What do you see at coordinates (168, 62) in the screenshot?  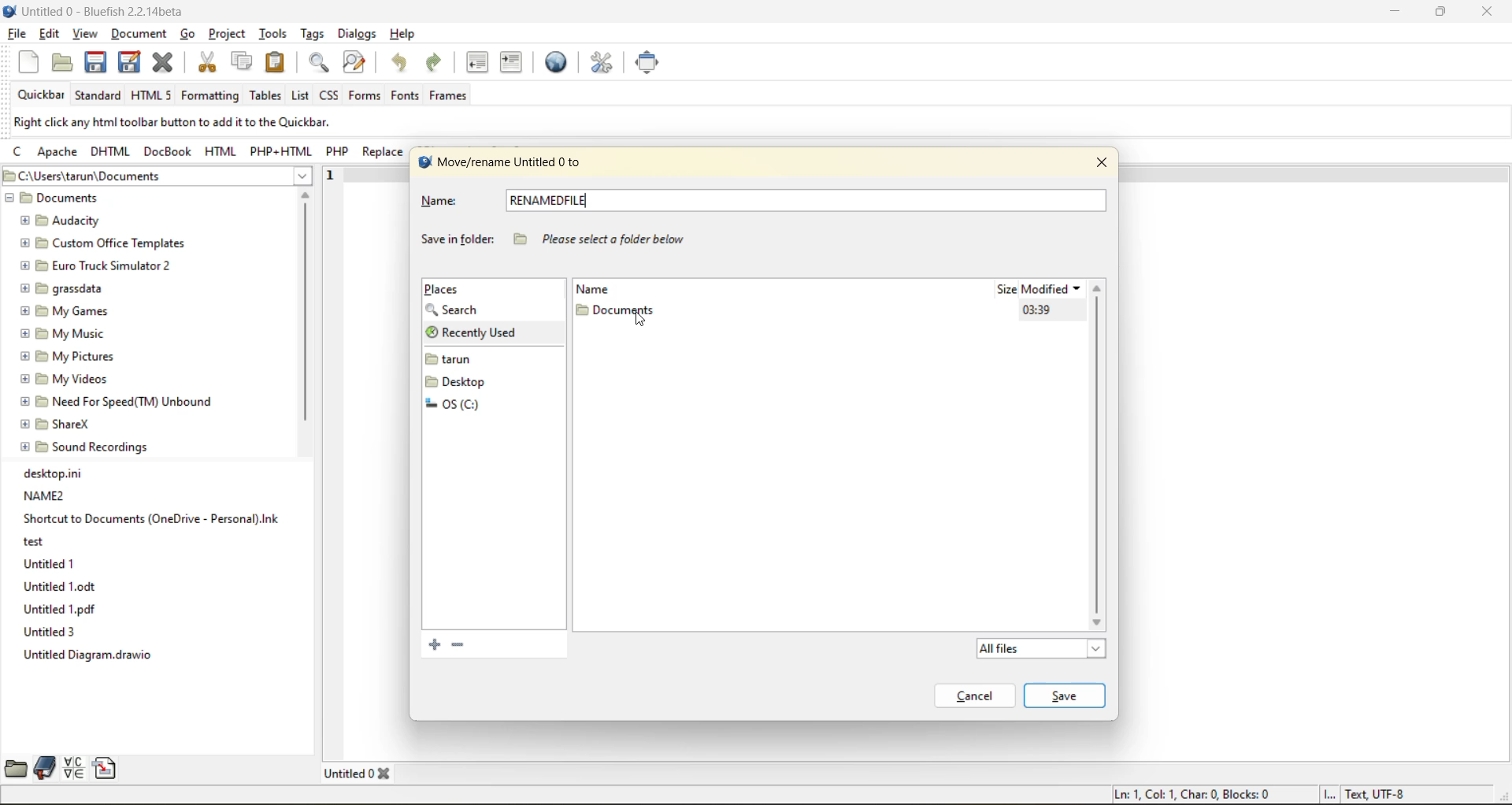 I see `close file` at bounding box center [168, 62].